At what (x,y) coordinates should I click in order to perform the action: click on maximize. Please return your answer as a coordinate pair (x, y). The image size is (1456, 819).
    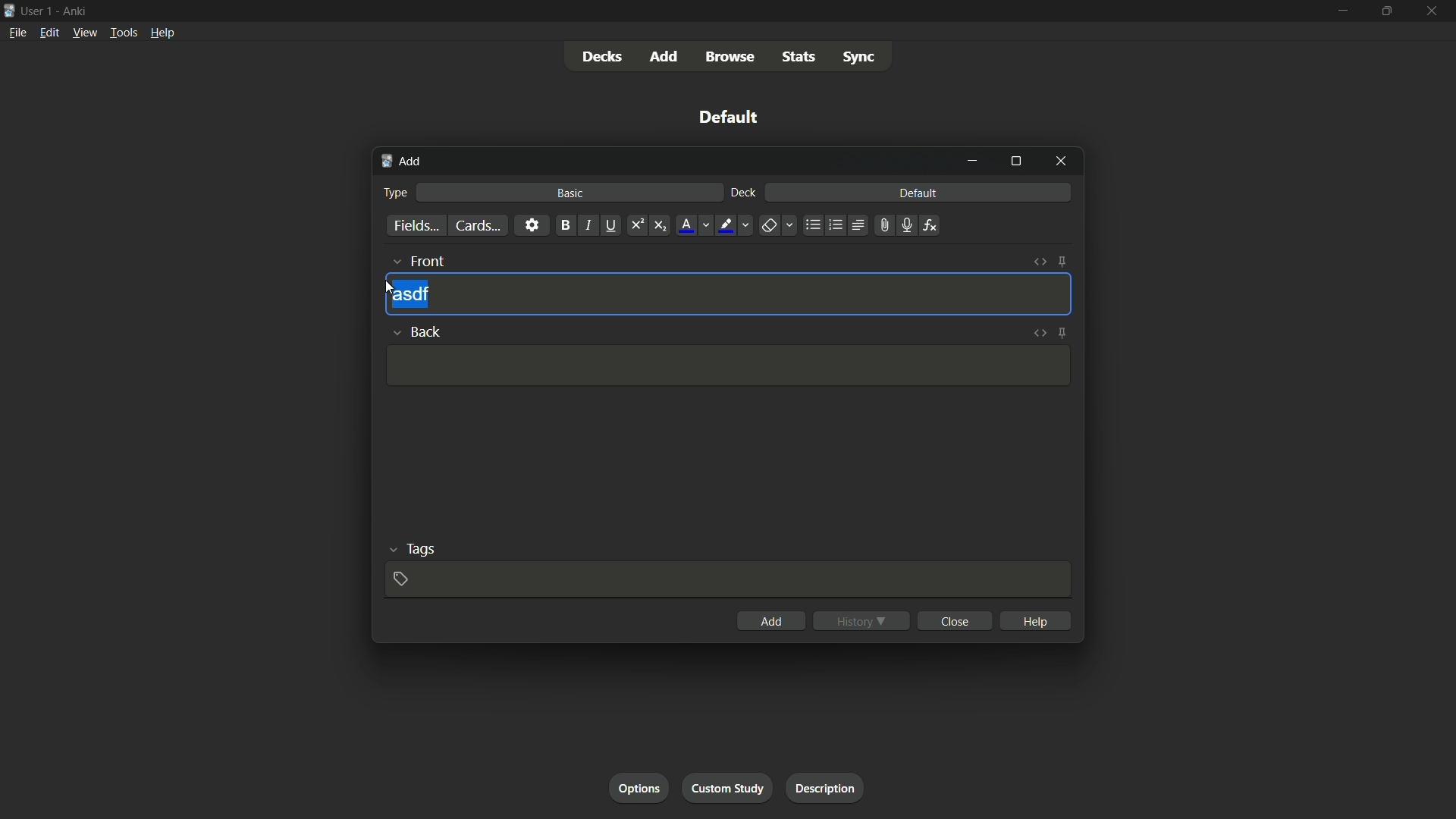
    Looking at the image, I should click on (1015, 162).